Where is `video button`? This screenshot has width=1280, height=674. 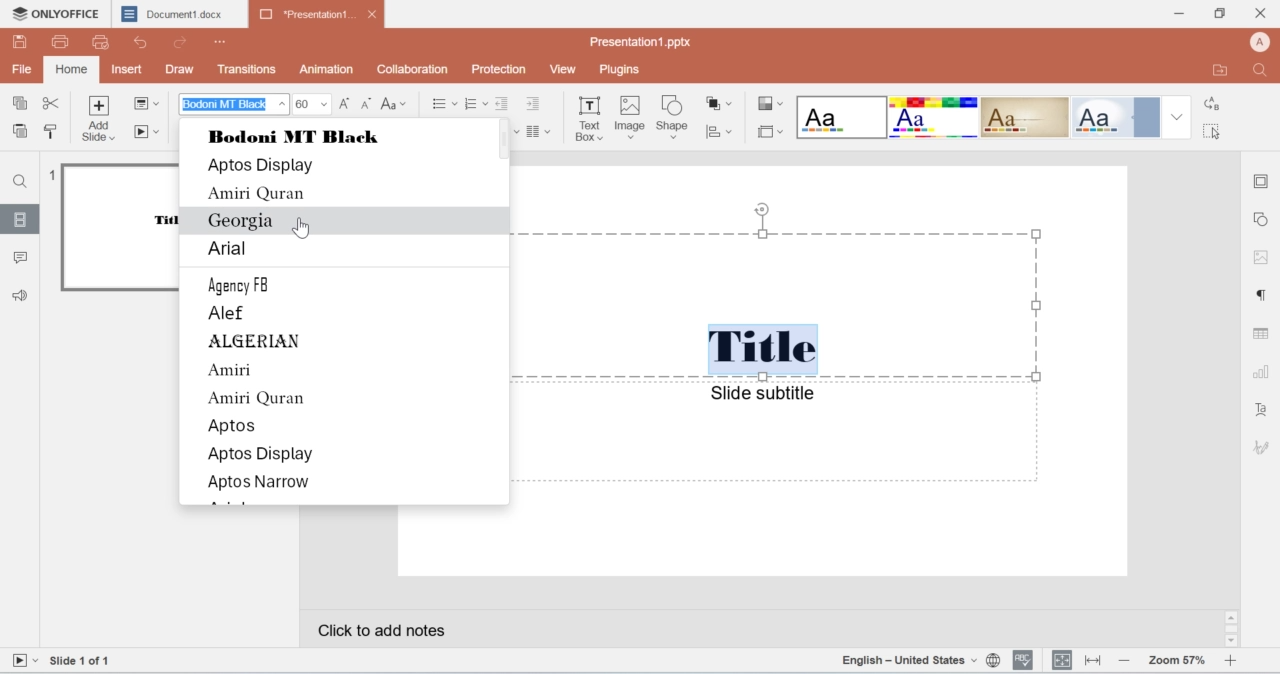 video button is located at coordinates (24, 661).